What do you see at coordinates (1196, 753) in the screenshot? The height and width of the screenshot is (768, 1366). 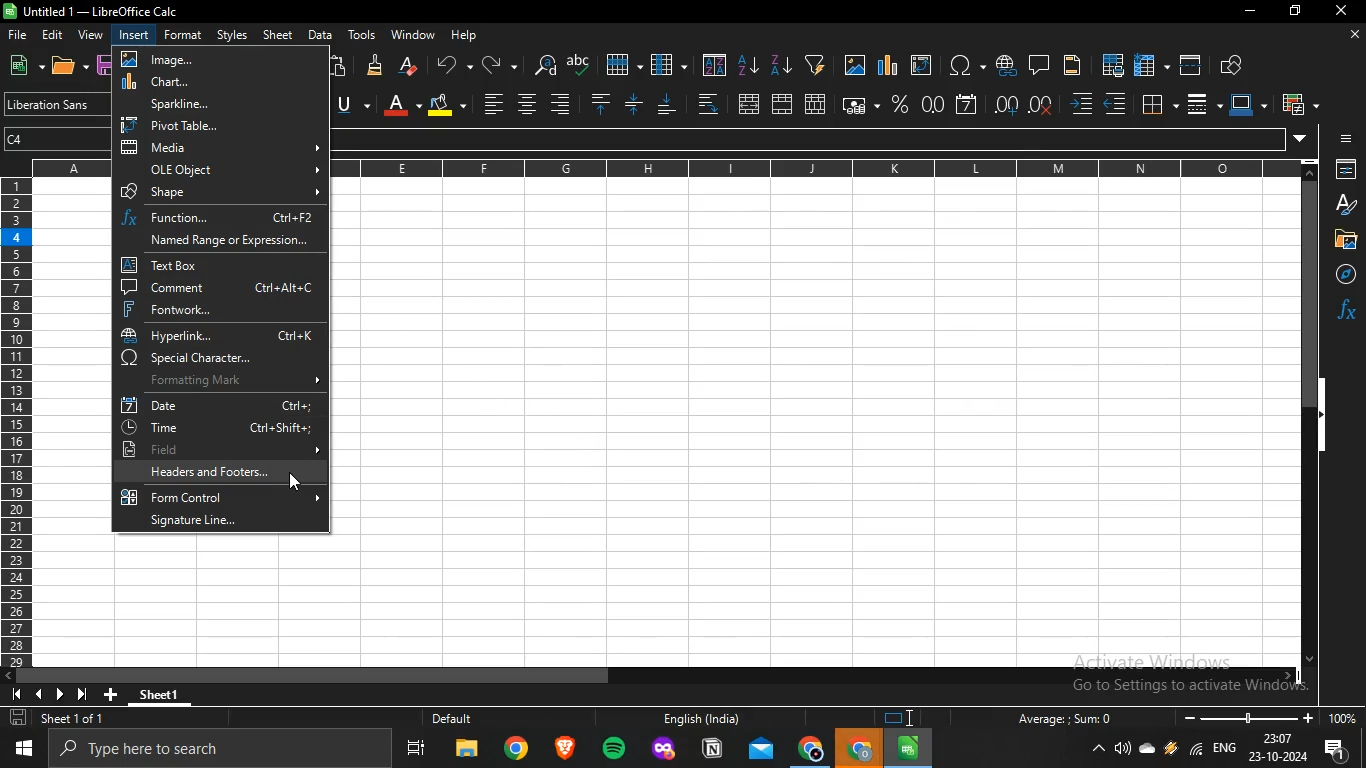 I see `wifi` at bounding box center [1196, 753].